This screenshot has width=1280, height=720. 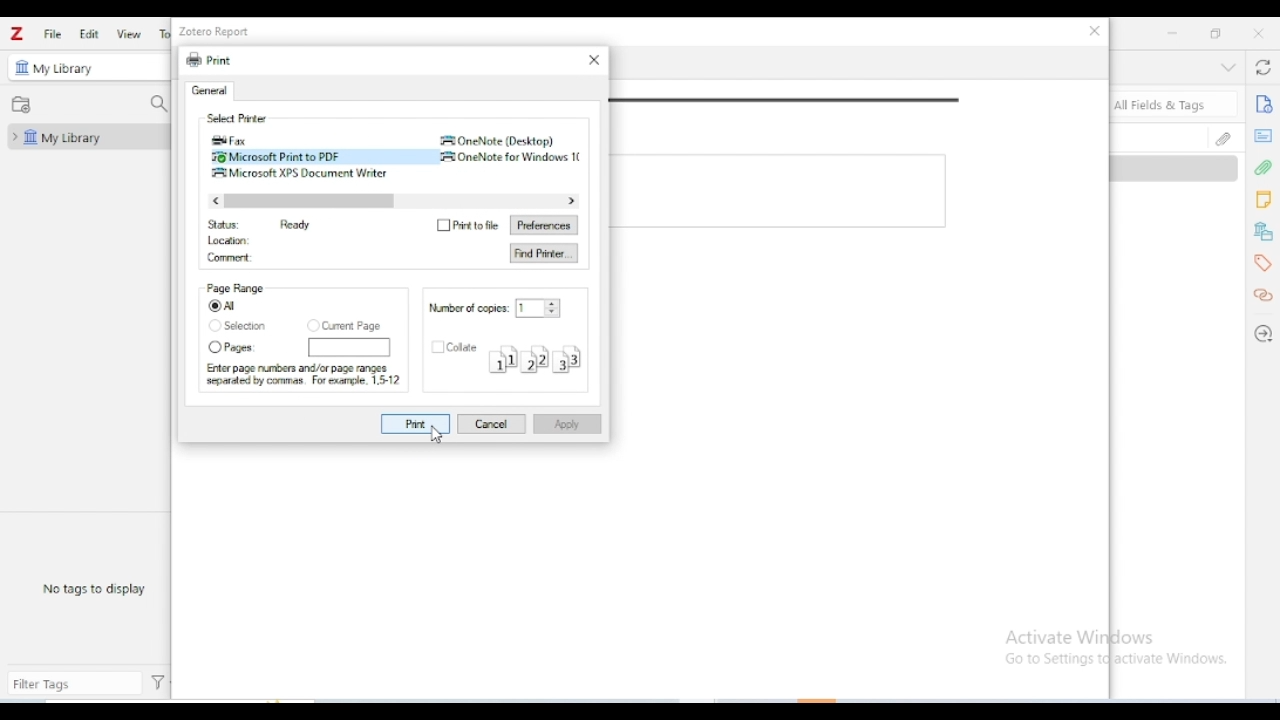 I want to click on comment, so click(x=229, y=258).